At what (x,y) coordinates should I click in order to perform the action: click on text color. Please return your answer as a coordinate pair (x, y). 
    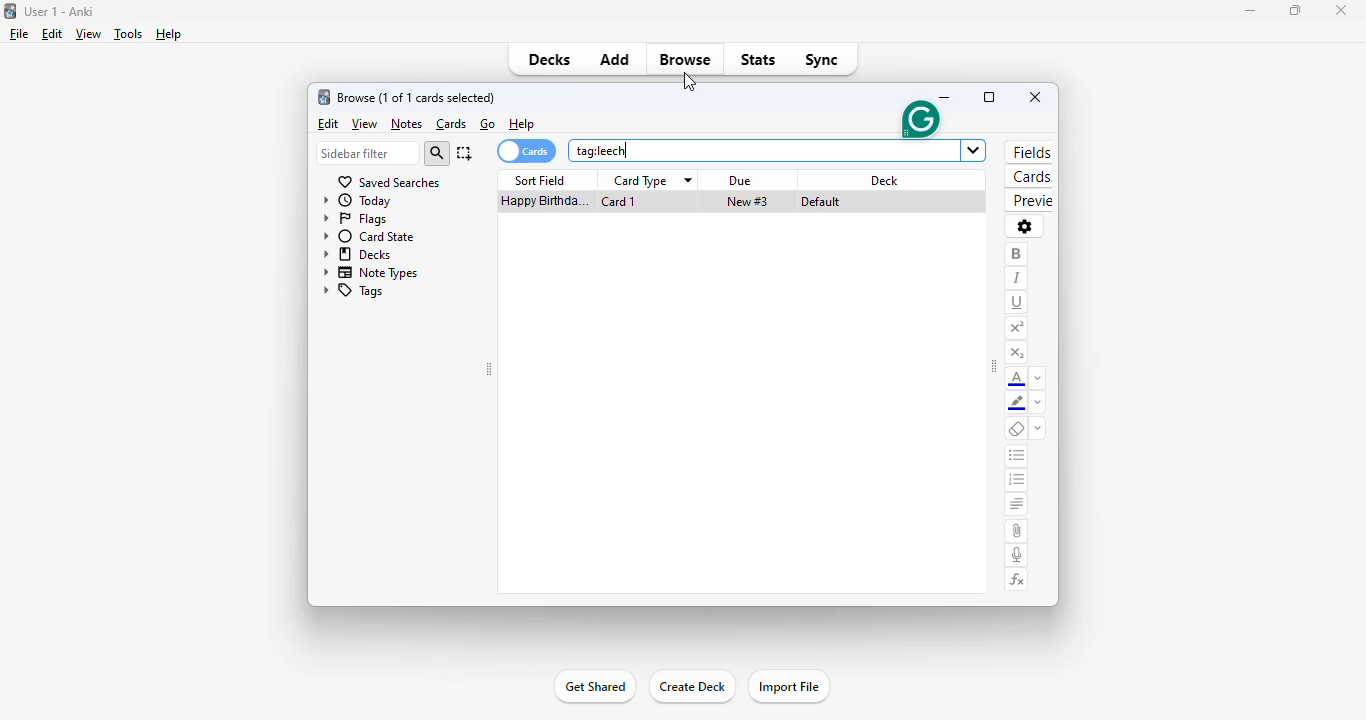
    Looking at the image, I should click on (1018, 378).